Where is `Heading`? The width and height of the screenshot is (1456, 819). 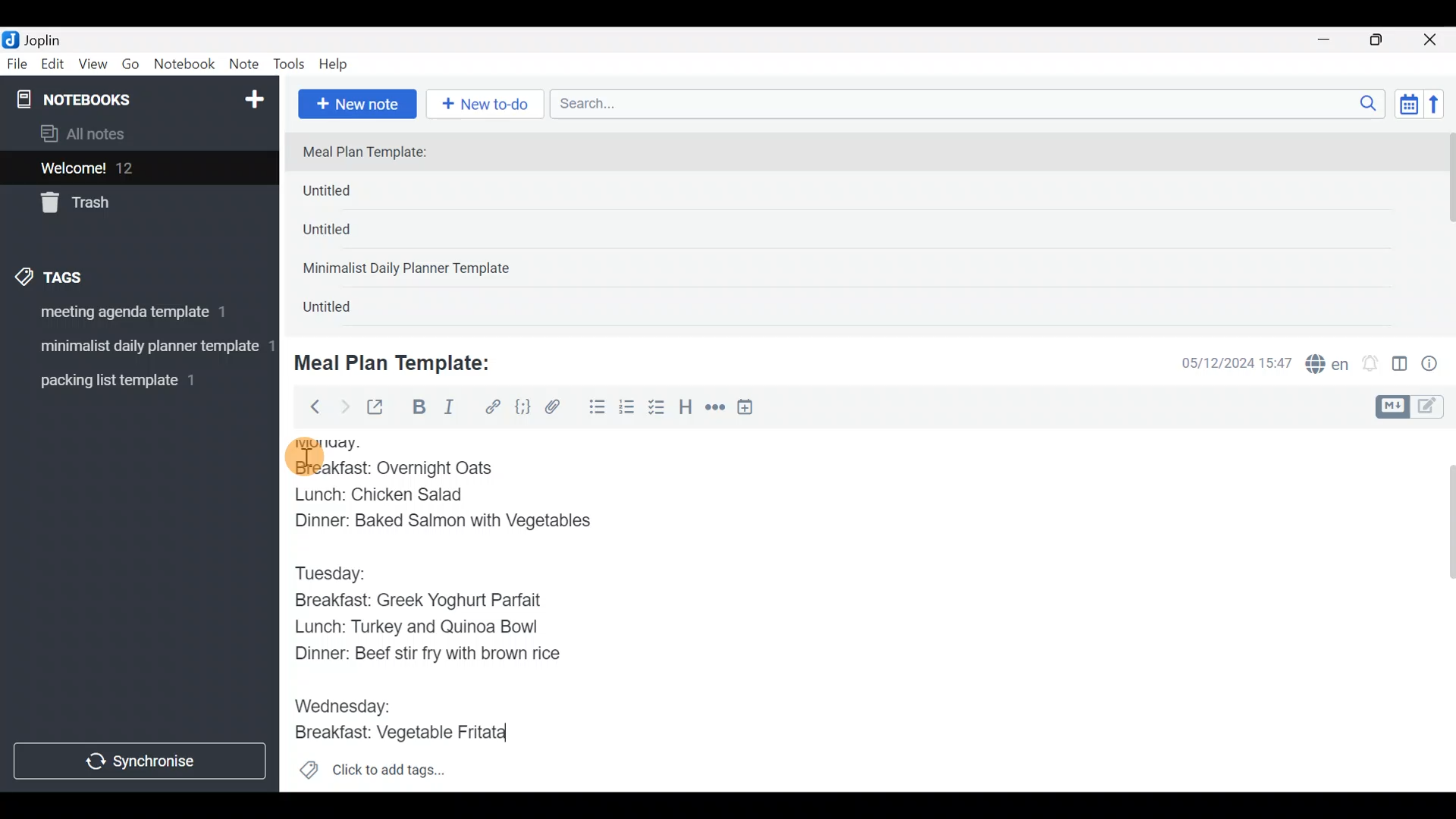
Heading is located at coordinates (686, 409).